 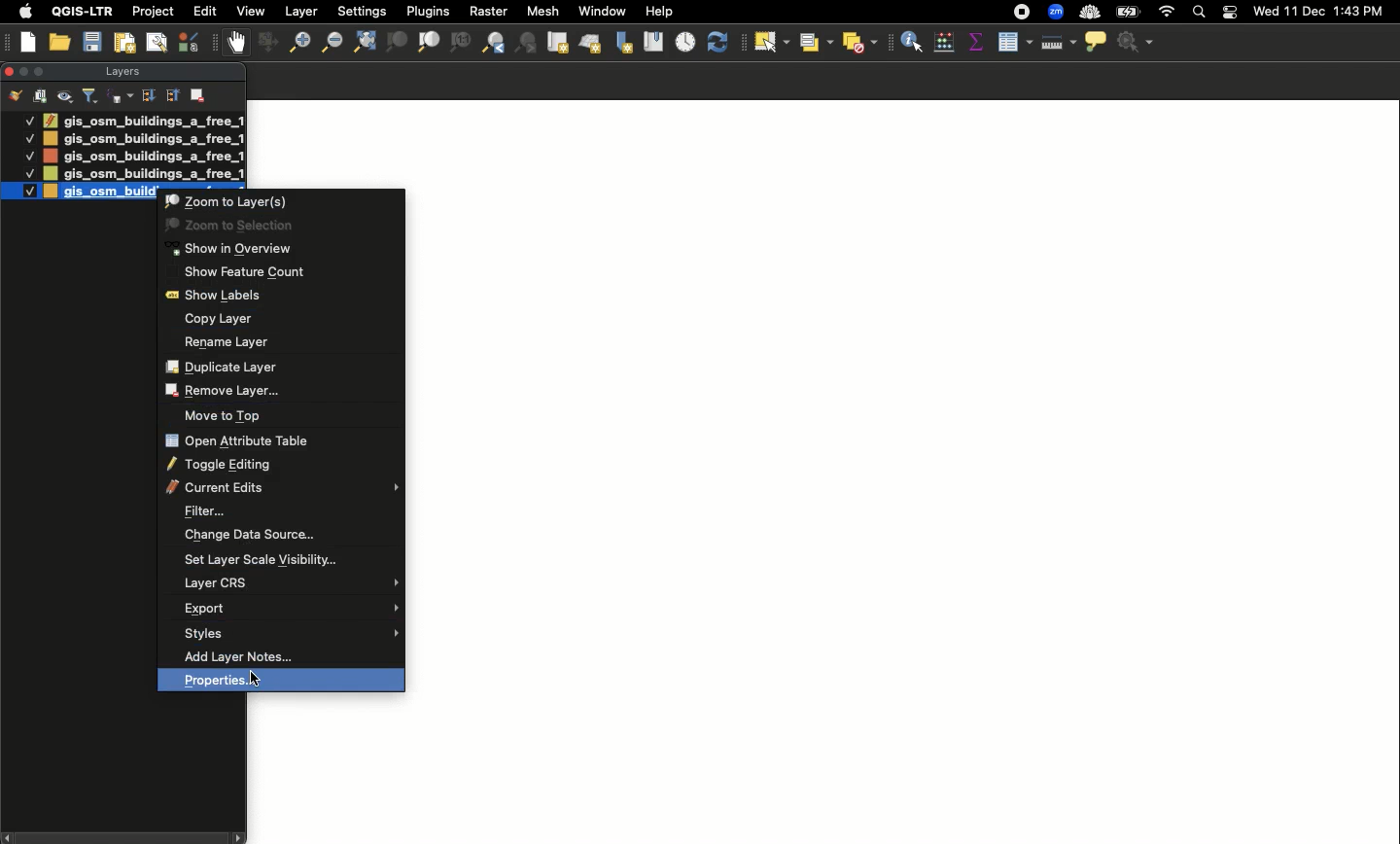 What do you see at coordinates (66, 96) in the screenshot?
I see `Manage map themes` at bounding box center [66, 96].